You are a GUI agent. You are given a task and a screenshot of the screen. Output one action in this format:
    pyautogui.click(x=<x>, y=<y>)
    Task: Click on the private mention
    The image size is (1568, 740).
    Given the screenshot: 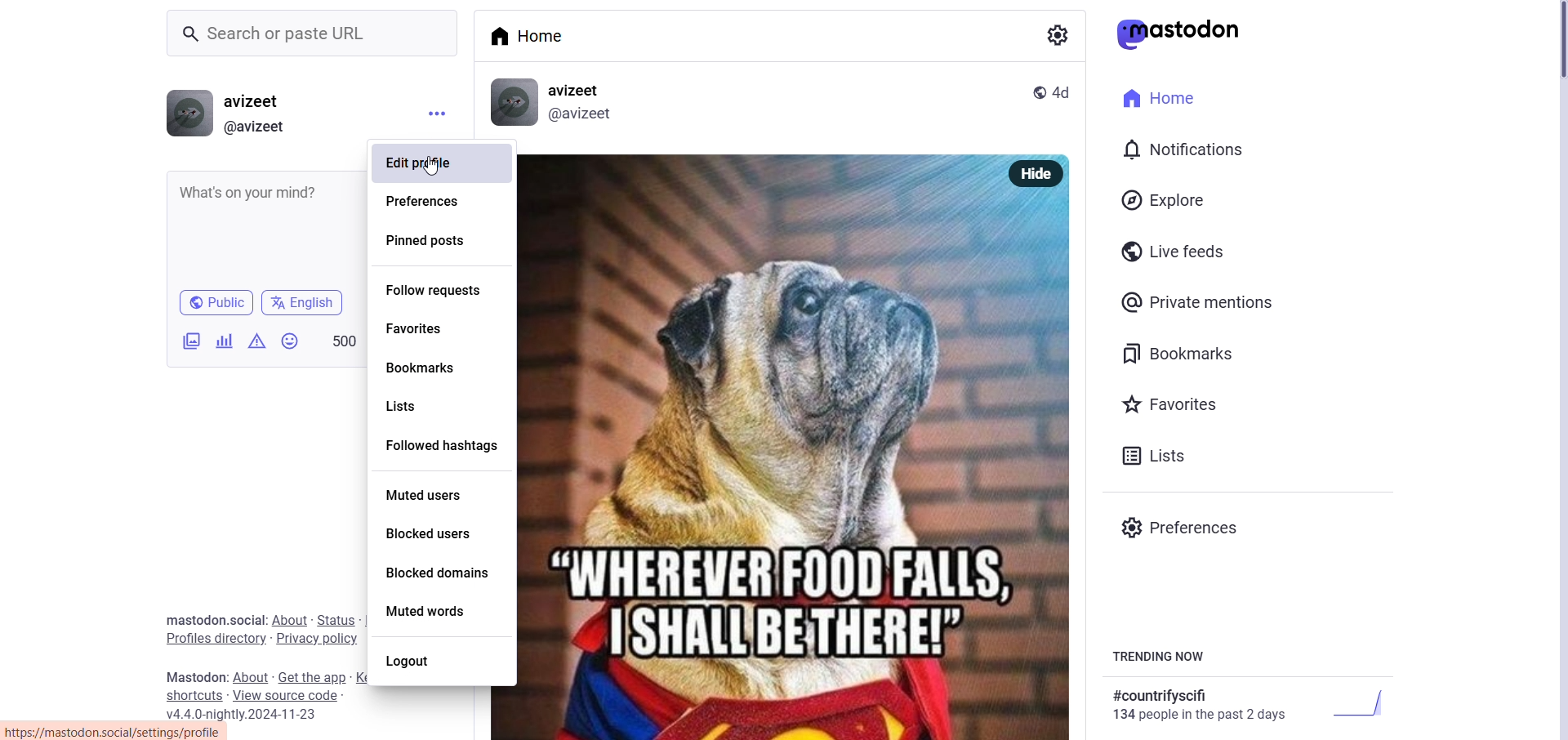 What is the action you would take?
    pyautogui.click(x=1198, y=301)
    